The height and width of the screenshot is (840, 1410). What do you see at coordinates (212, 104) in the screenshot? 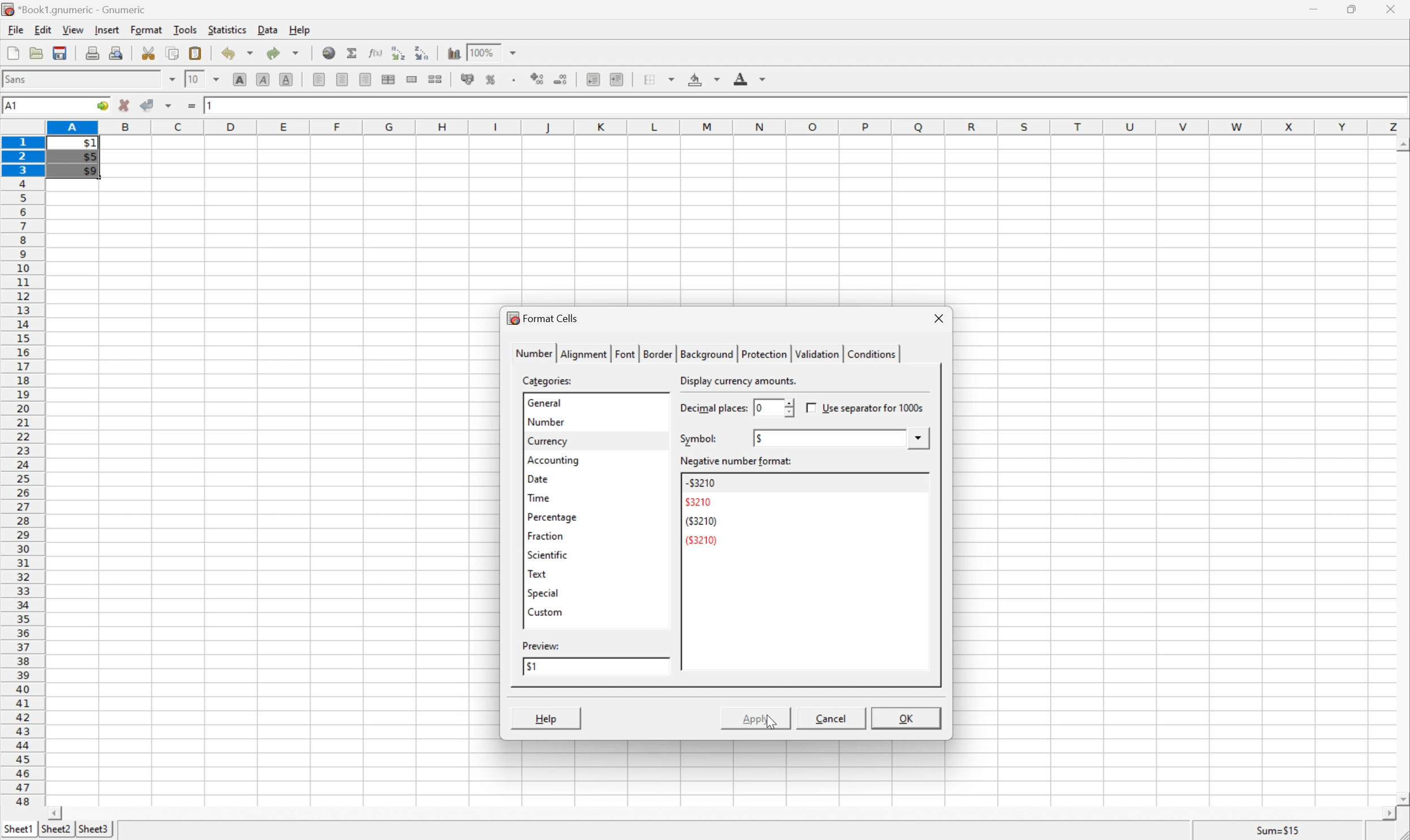
I see `1` at bounding box center [212, 104].